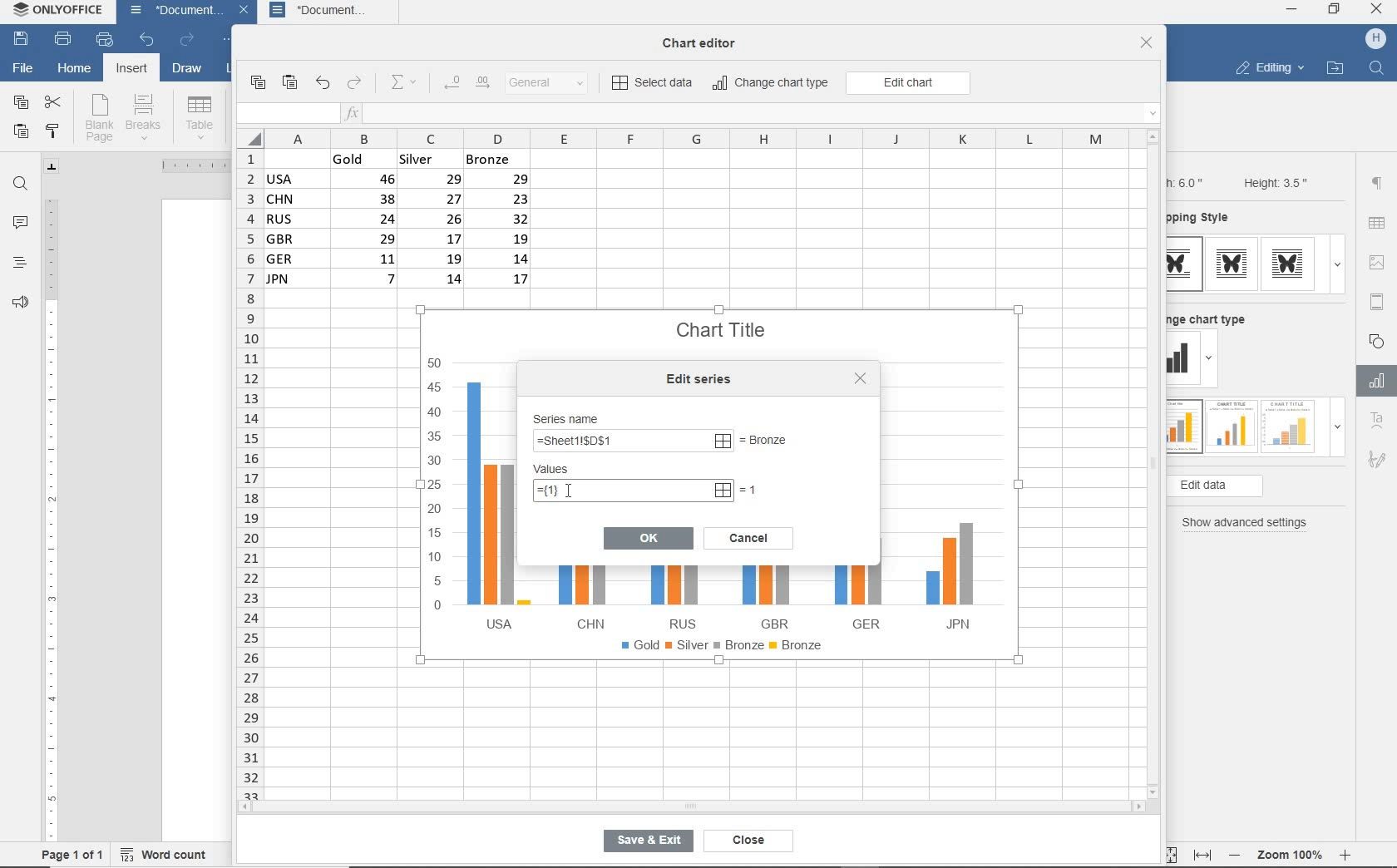 Image resolution: width=1397 pixels, height=868 pixels. What do you see at coordinates (1212, 361) in the screenshot?
I see `dropdown` at bounding box center [1212, 361].